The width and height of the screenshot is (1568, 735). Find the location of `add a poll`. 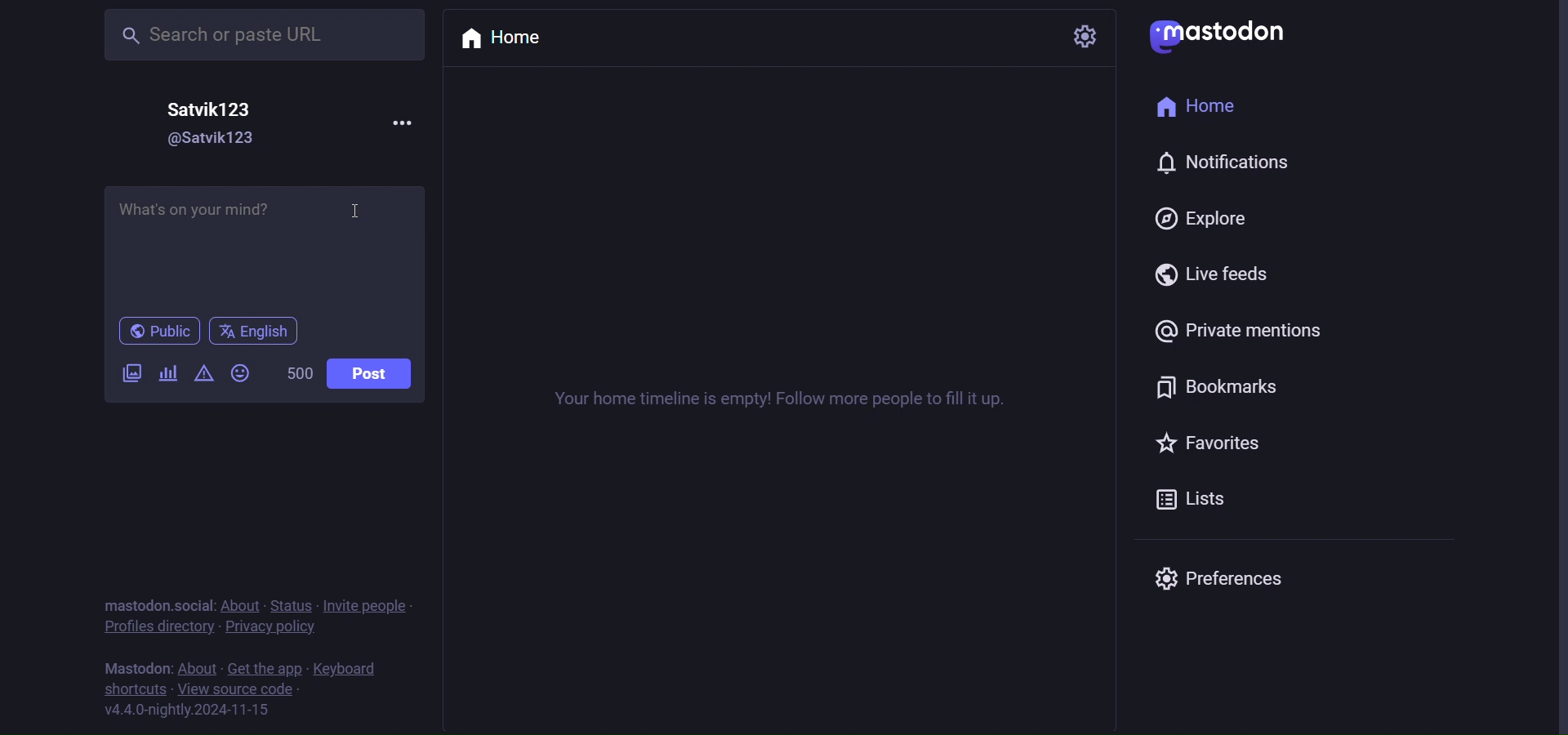

add a poll is located at coordinates (169, 372).